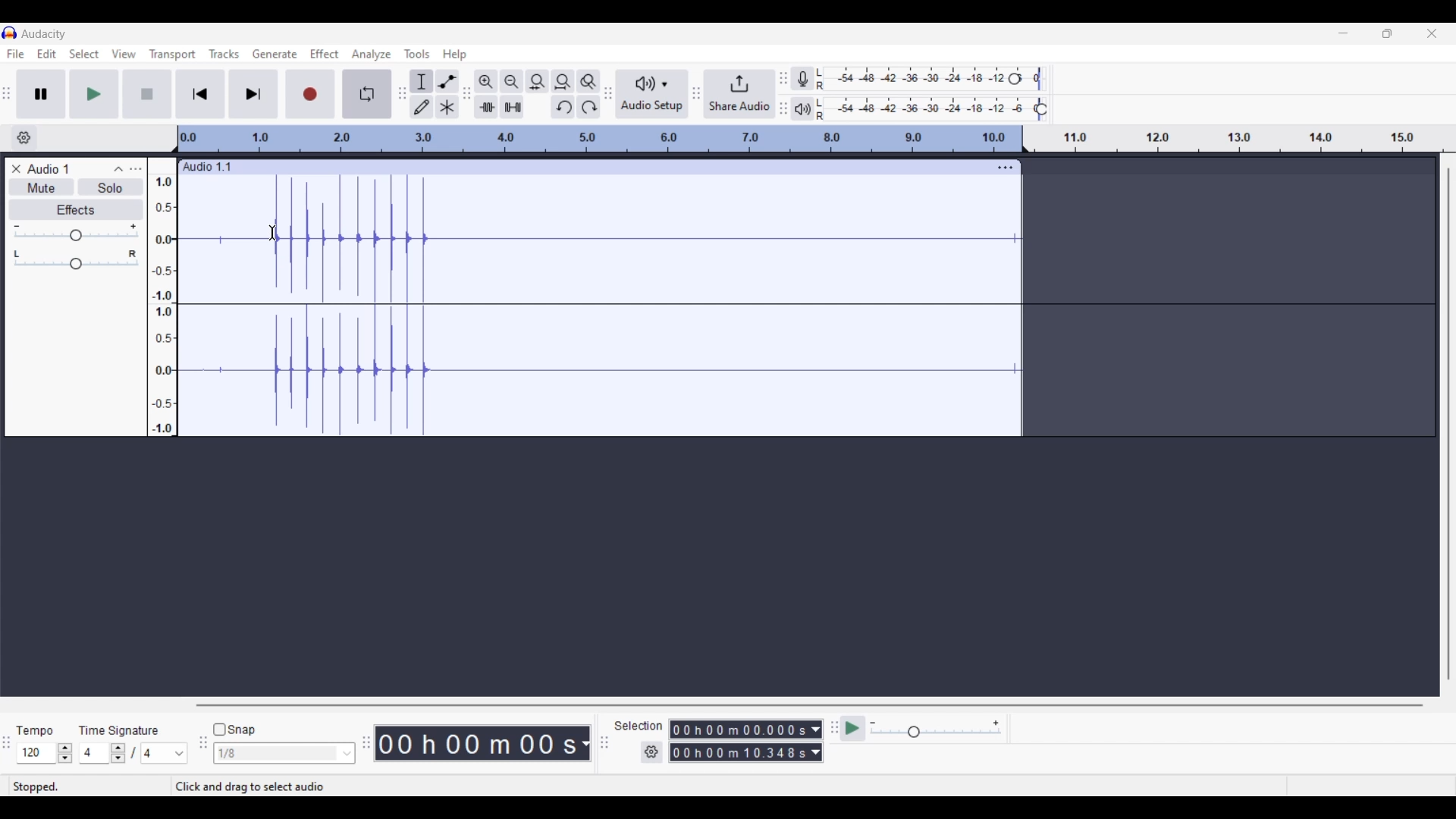 This screenshot has width=1456, height=819. Describe the element at coordinates (485, 80) in the screenshot. I see `Zoom in` at that location.